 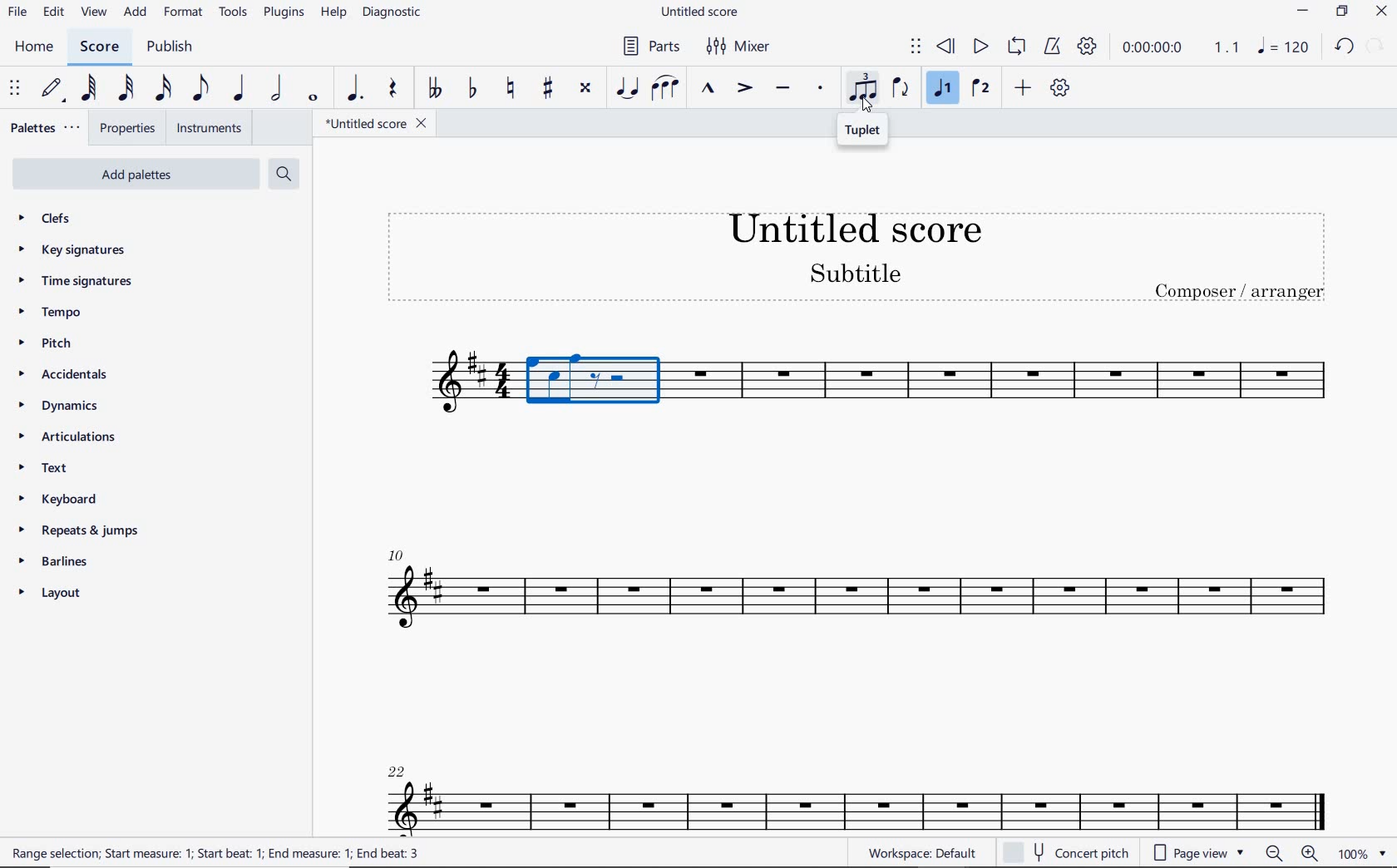 What do you see at coordinates (703, 12) in the screenshot?
I see `FILE NAME` at bounding box center [703, 12].